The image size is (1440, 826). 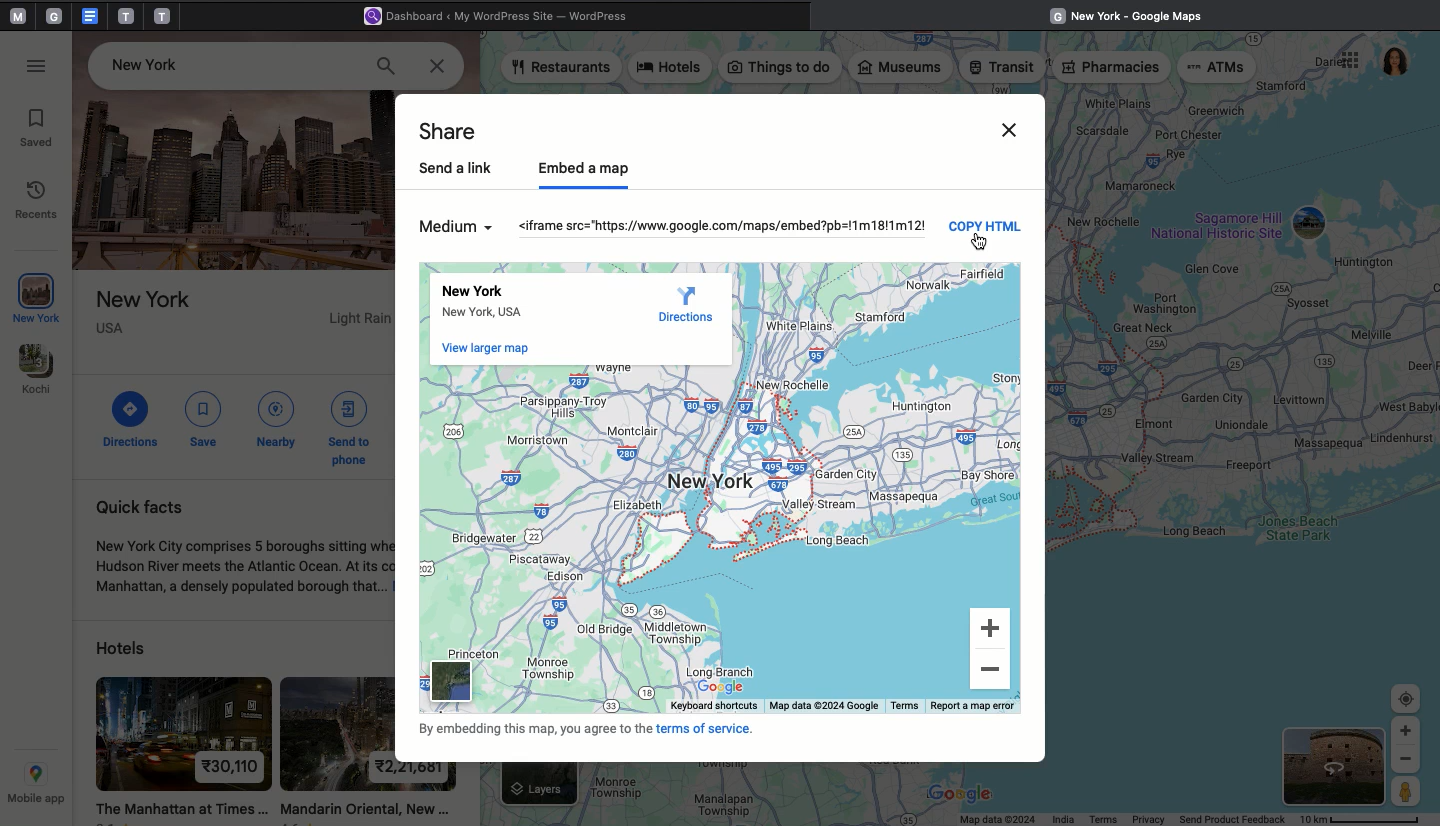 What do you see at coordinates (126, 16) in the screenshot?
I see `tab` at bounding box center [126, 16].